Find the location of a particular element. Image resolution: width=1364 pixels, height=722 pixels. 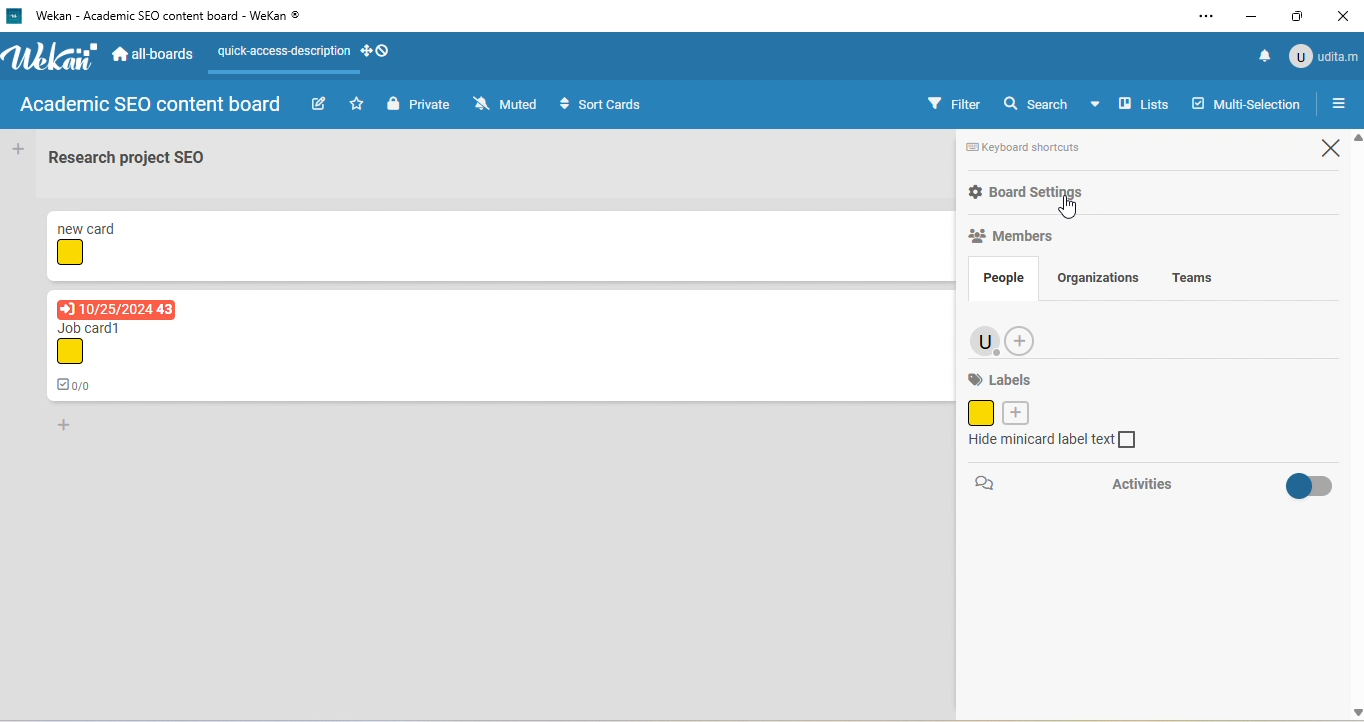

settings and more is located at coordinates (1204, 18).